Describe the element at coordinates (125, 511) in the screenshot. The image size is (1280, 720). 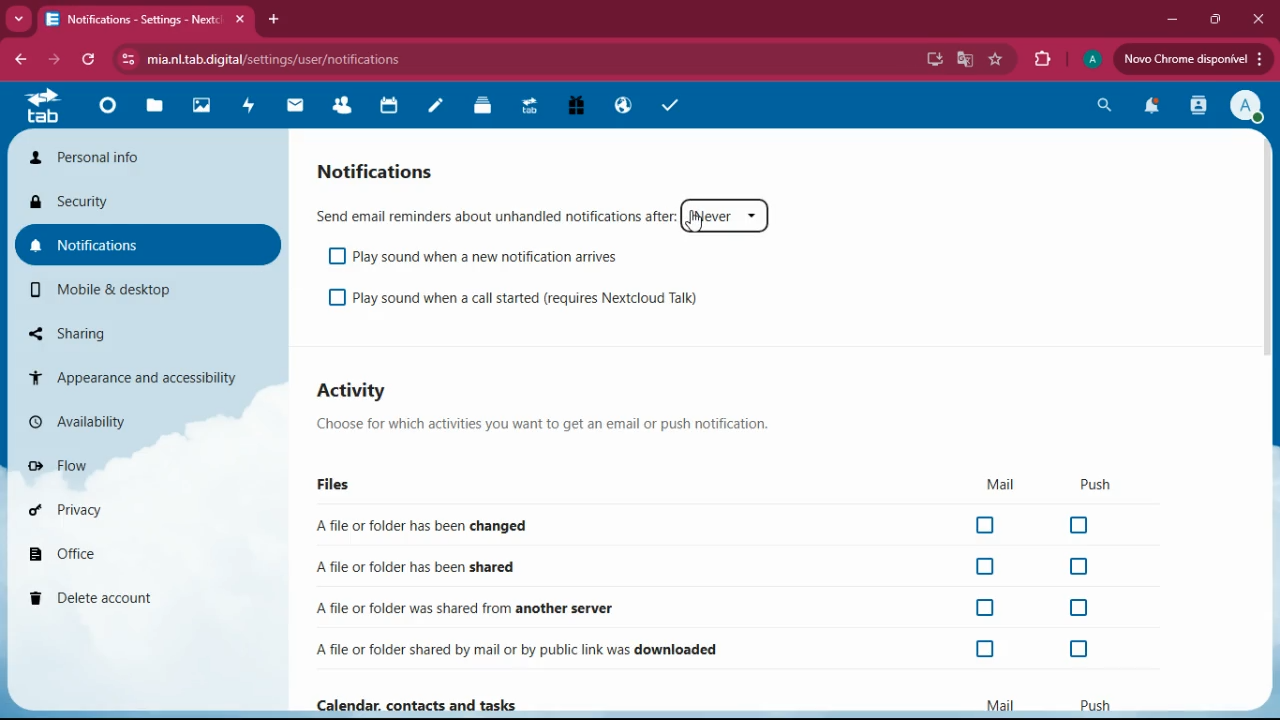
I see `privacy` at that location.